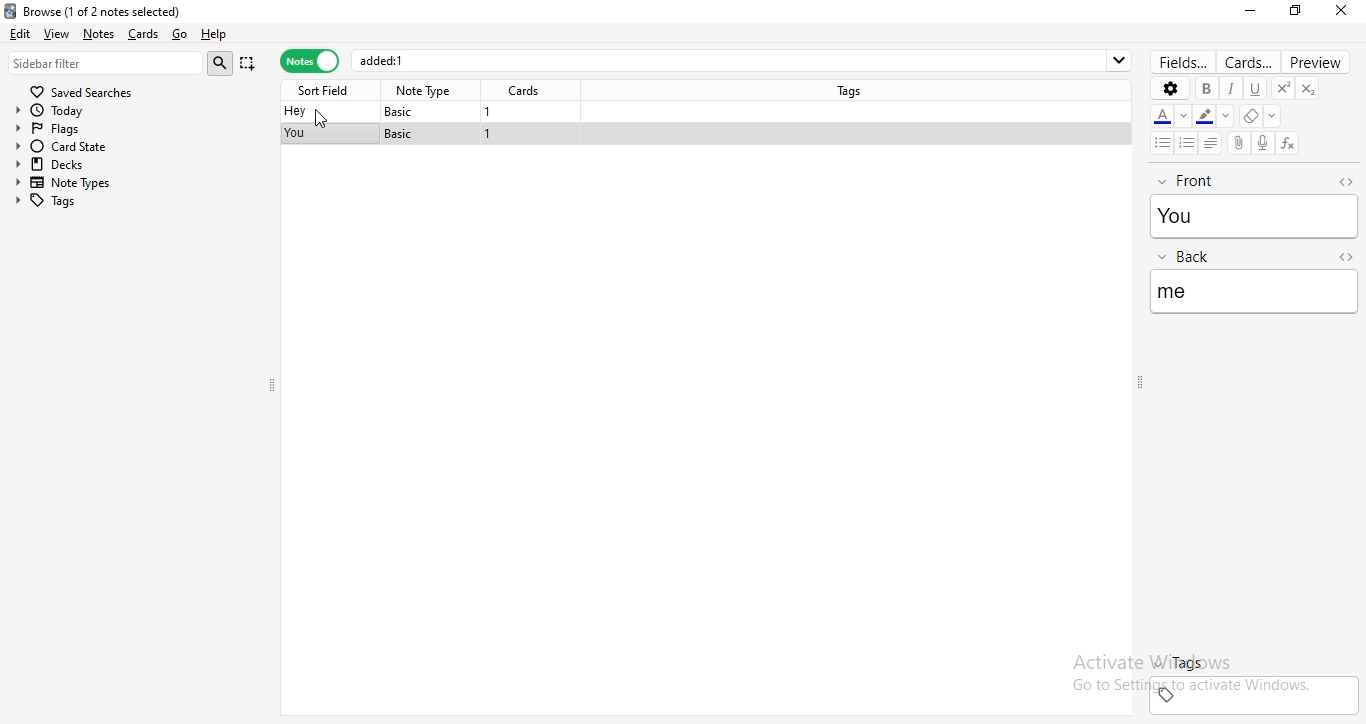 This screenshot has height=724, width=1366. What do you see at coordinates (141, 34) in the screenshot?
I see `cards` at bounding box center [141, 34].